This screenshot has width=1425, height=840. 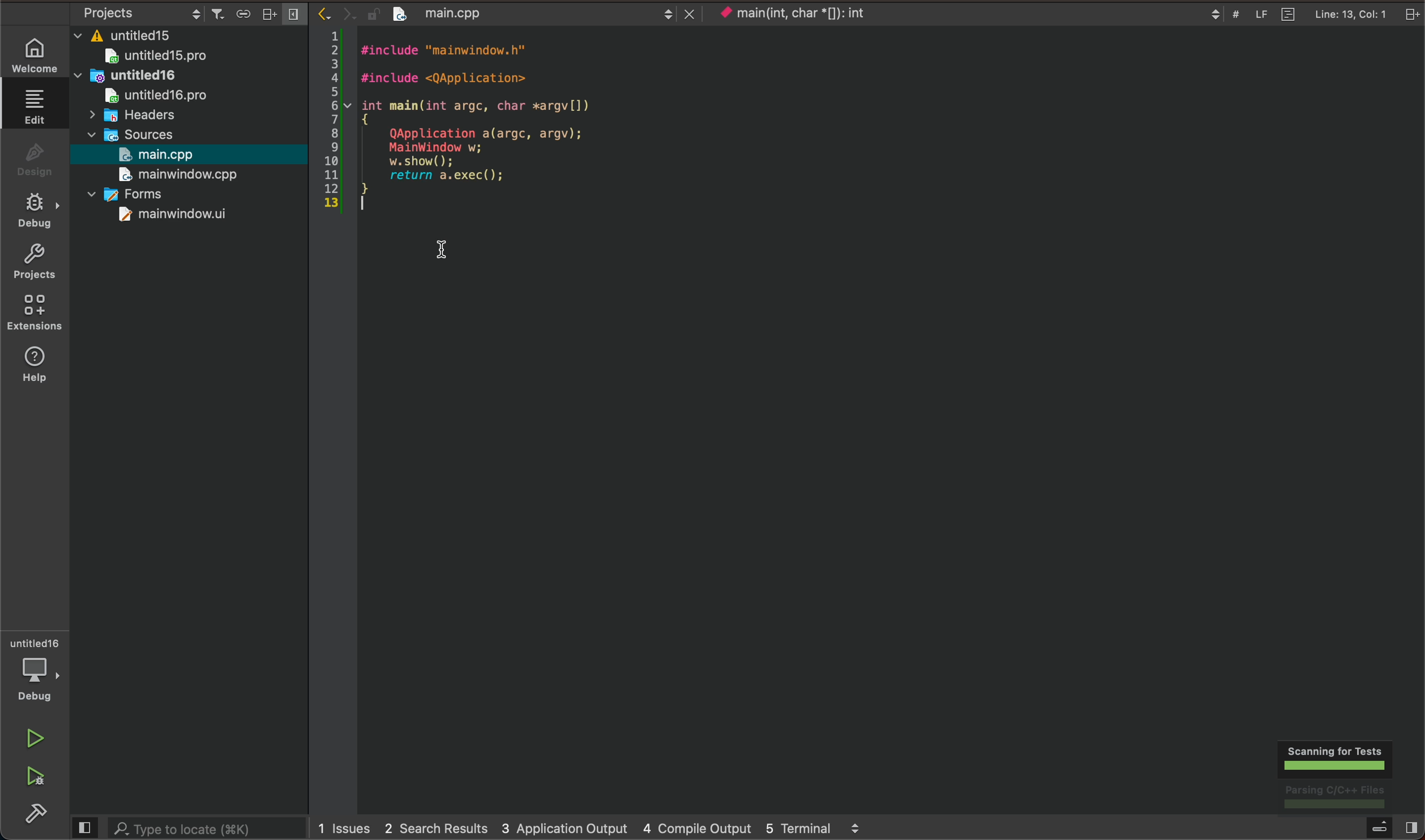 What do you see at coordinates (184, 12) in the screenshot?
I see `project settings ` at bounding box center [184, 12].